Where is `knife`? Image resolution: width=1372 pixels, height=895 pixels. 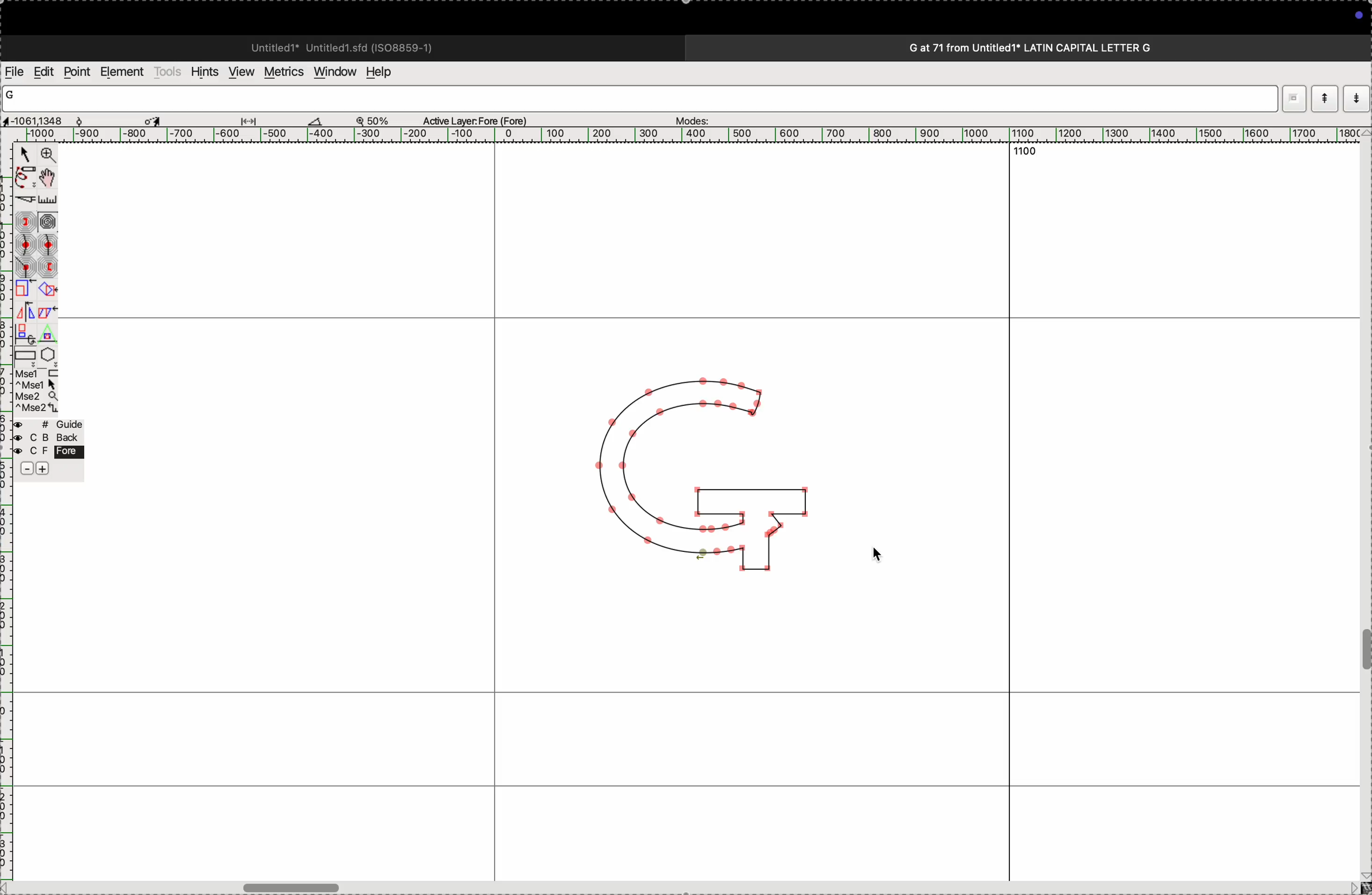
knife is located at coordinates (24, 201).